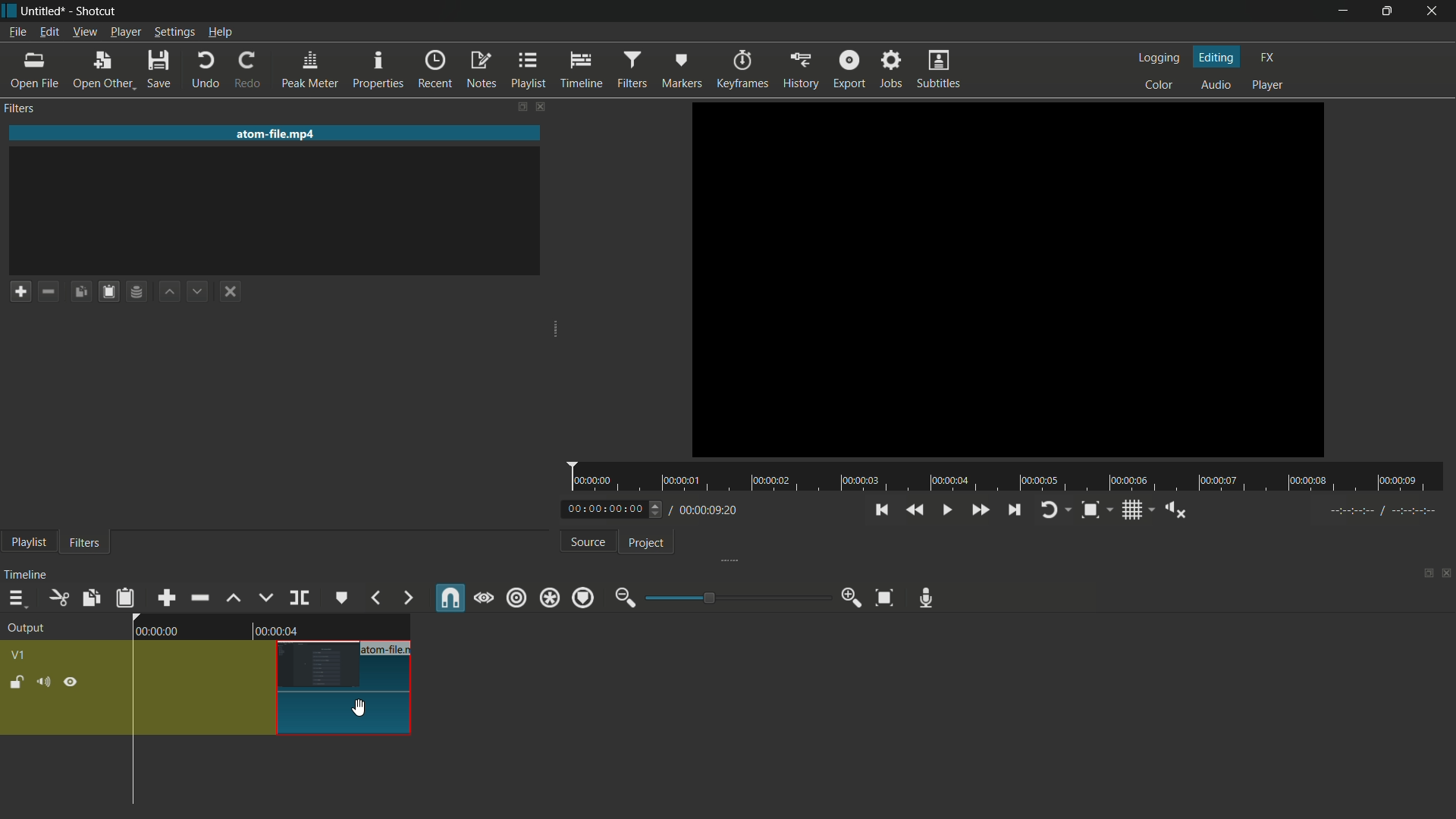  I want to click on output, so click(25, 628).